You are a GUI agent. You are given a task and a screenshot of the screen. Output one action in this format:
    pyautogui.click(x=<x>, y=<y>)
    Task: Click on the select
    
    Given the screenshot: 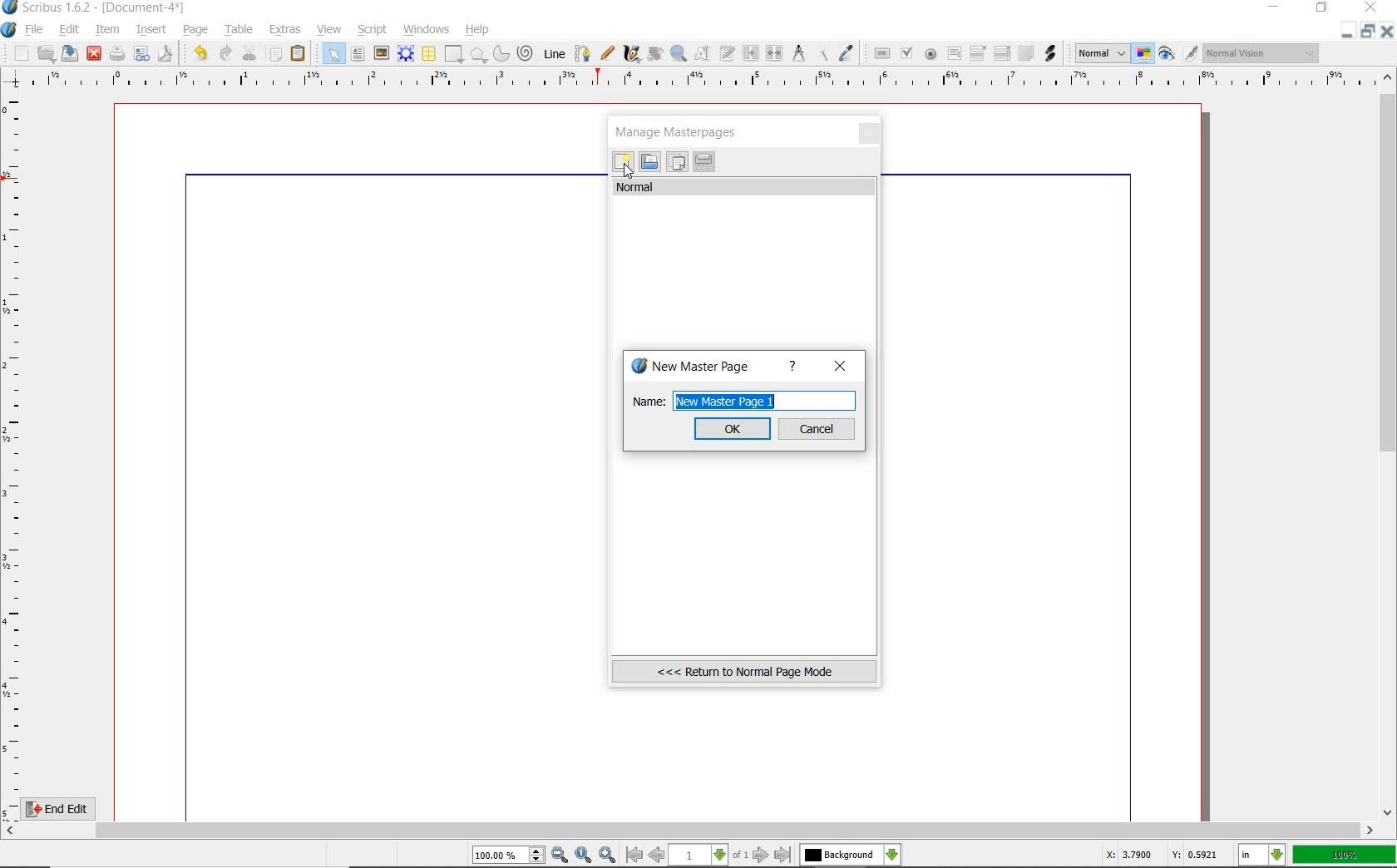 What is the action you would take?
    pyautogui.click(x=330, y=53)
    